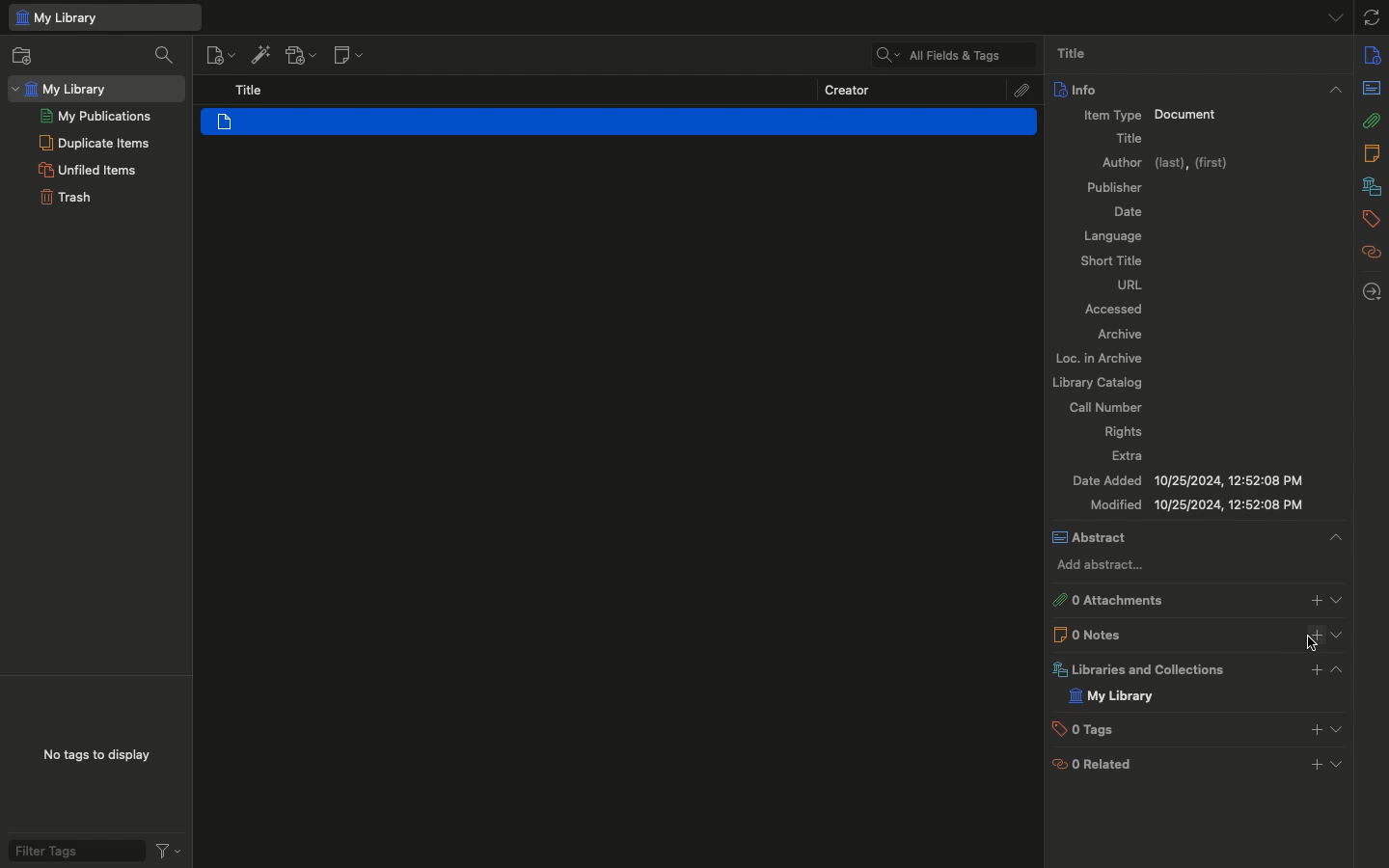 This screenshot has height=868, width=1389. What do you see at coordinates (1339, 635) in the screenshot?
I see `Show` at bounding box center [1339, 635].